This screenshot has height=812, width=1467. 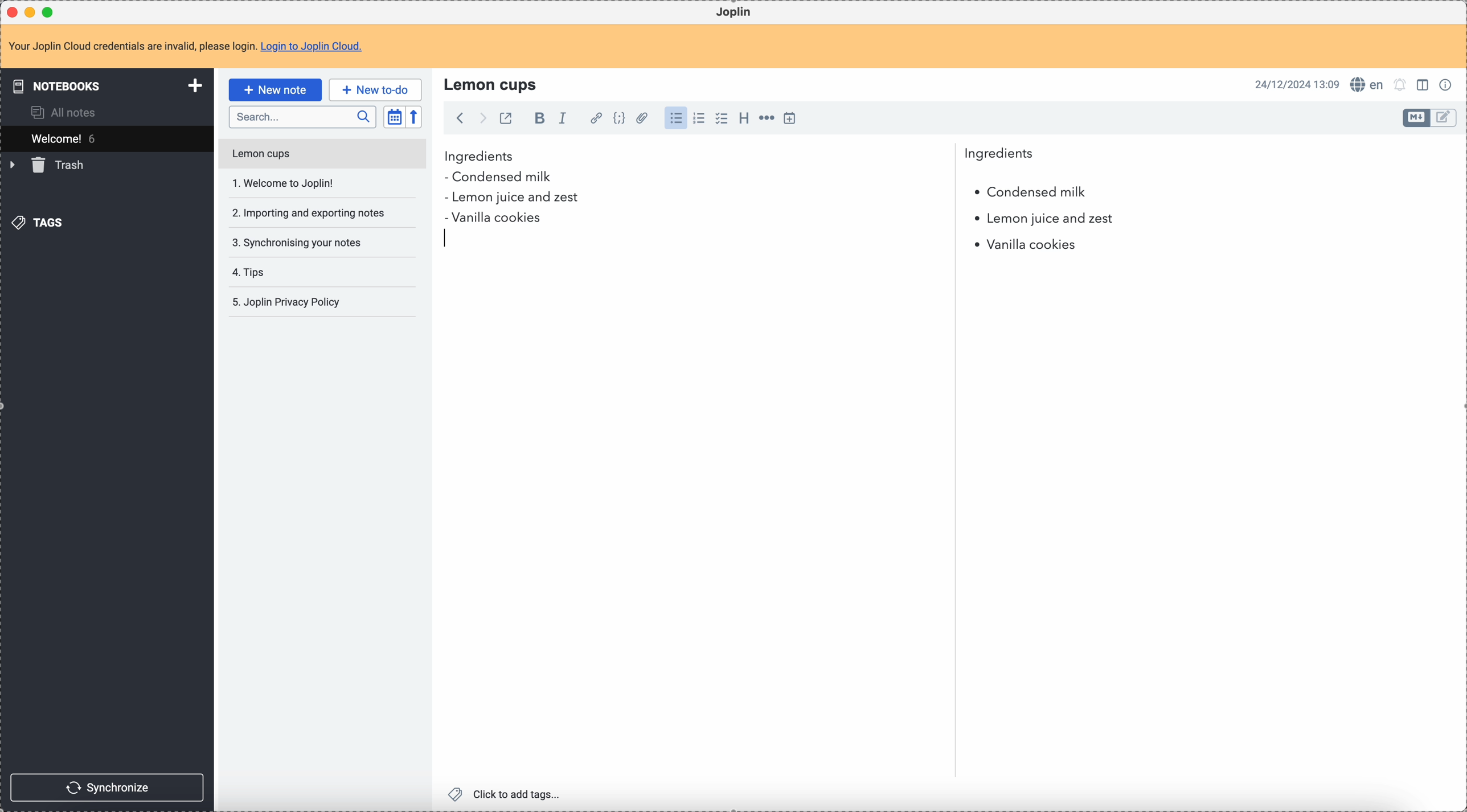 What do you see at coordinates (1370, 84) in the screenshot?
I see `spell checker` at bounding box center [1370, 84].